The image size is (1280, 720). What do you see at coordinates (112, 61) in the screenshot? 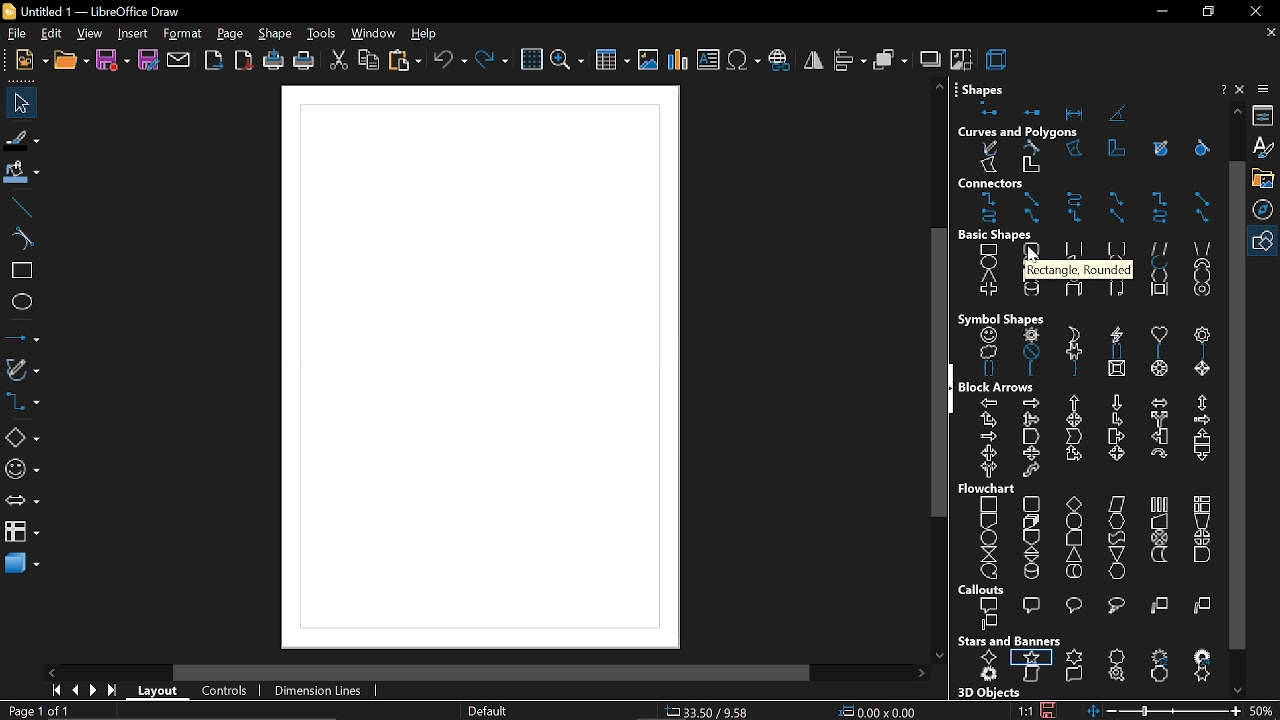
I see `save` at bounding box center [112, 61].